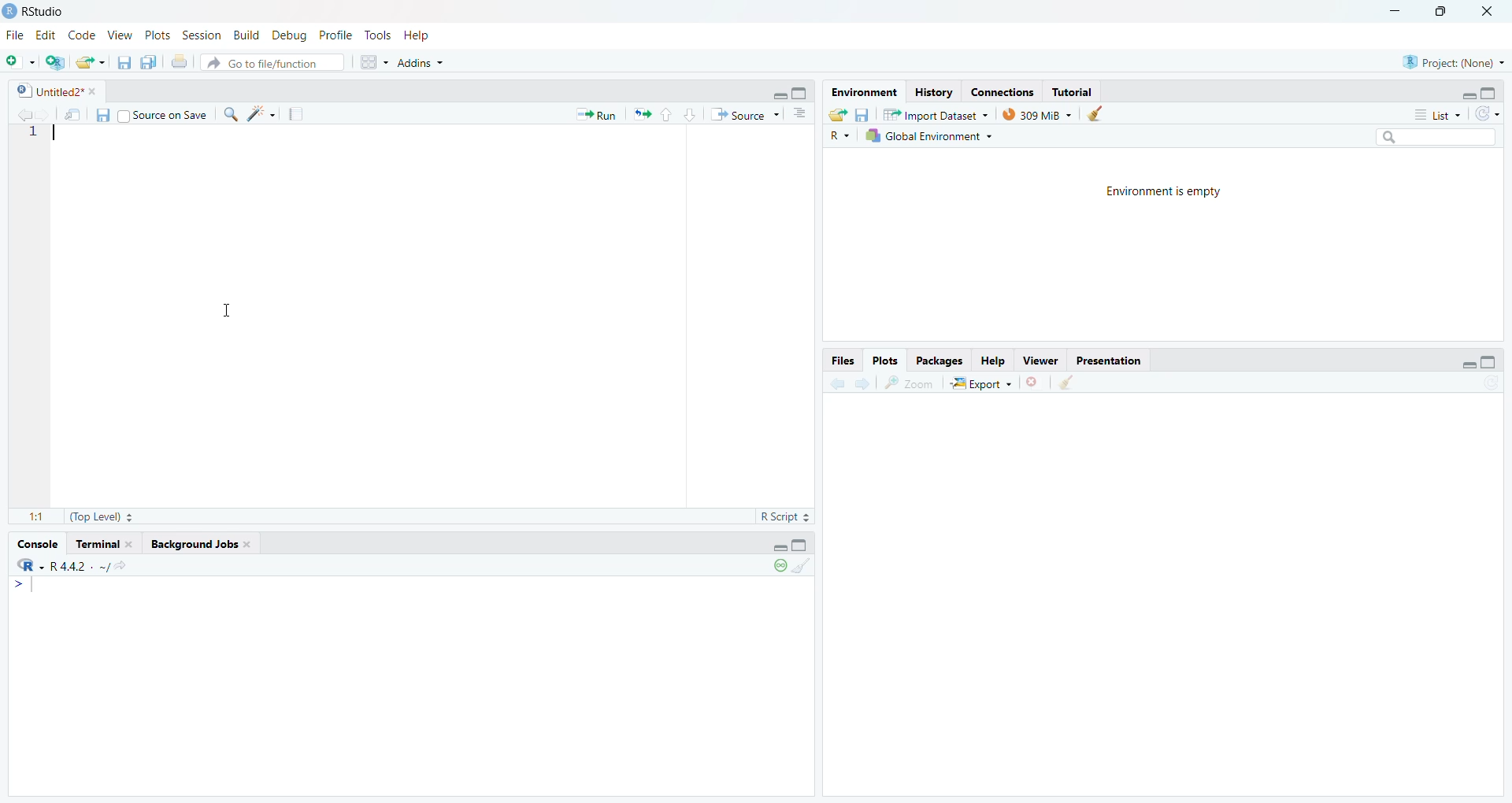 Image resolution: width=1512 pixels, height=803 pixels. I want to click on minimise, so click(773, 547).